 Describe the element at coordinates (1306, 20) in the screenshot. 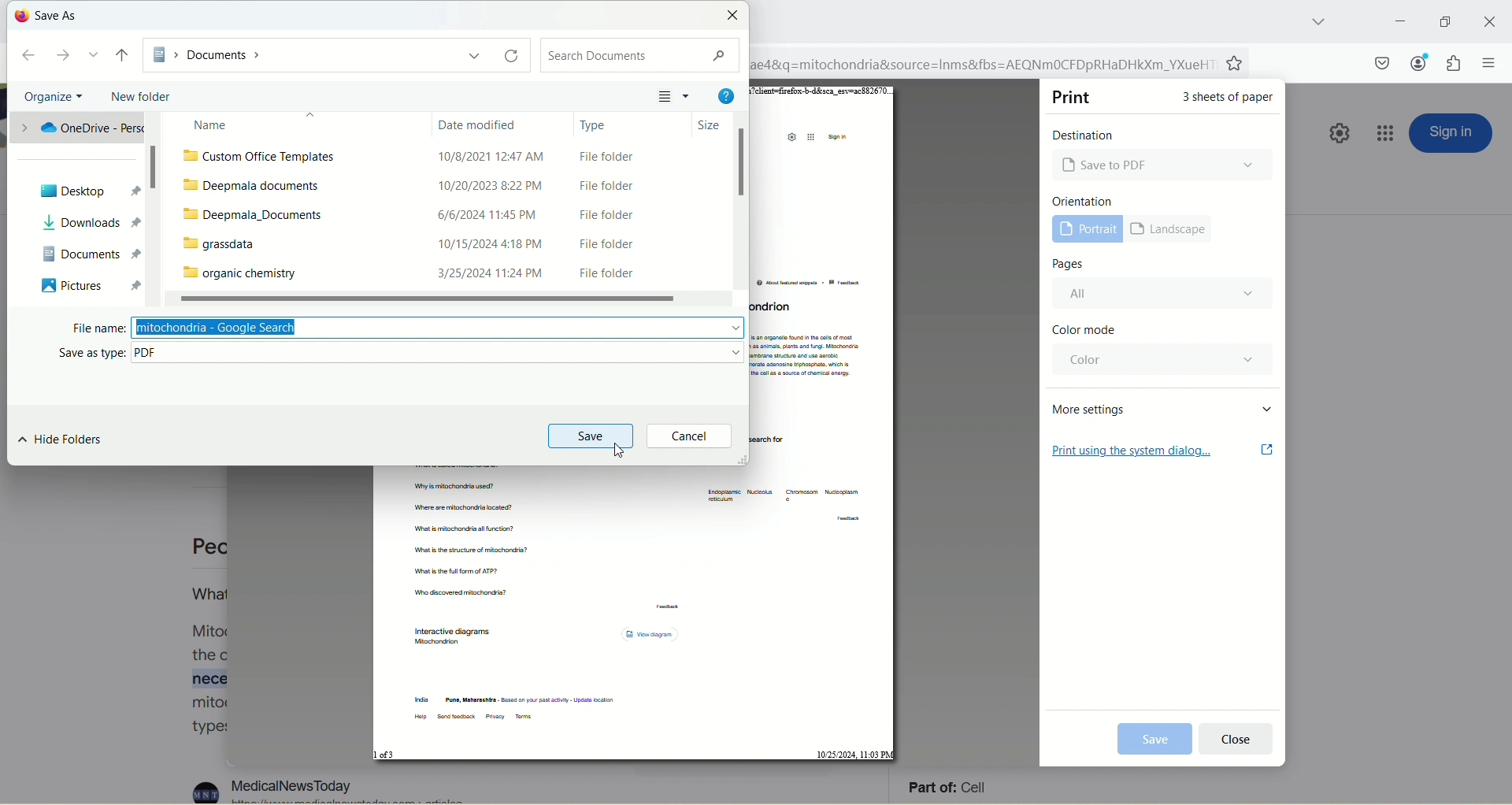

I see `list all tabs` at that location.